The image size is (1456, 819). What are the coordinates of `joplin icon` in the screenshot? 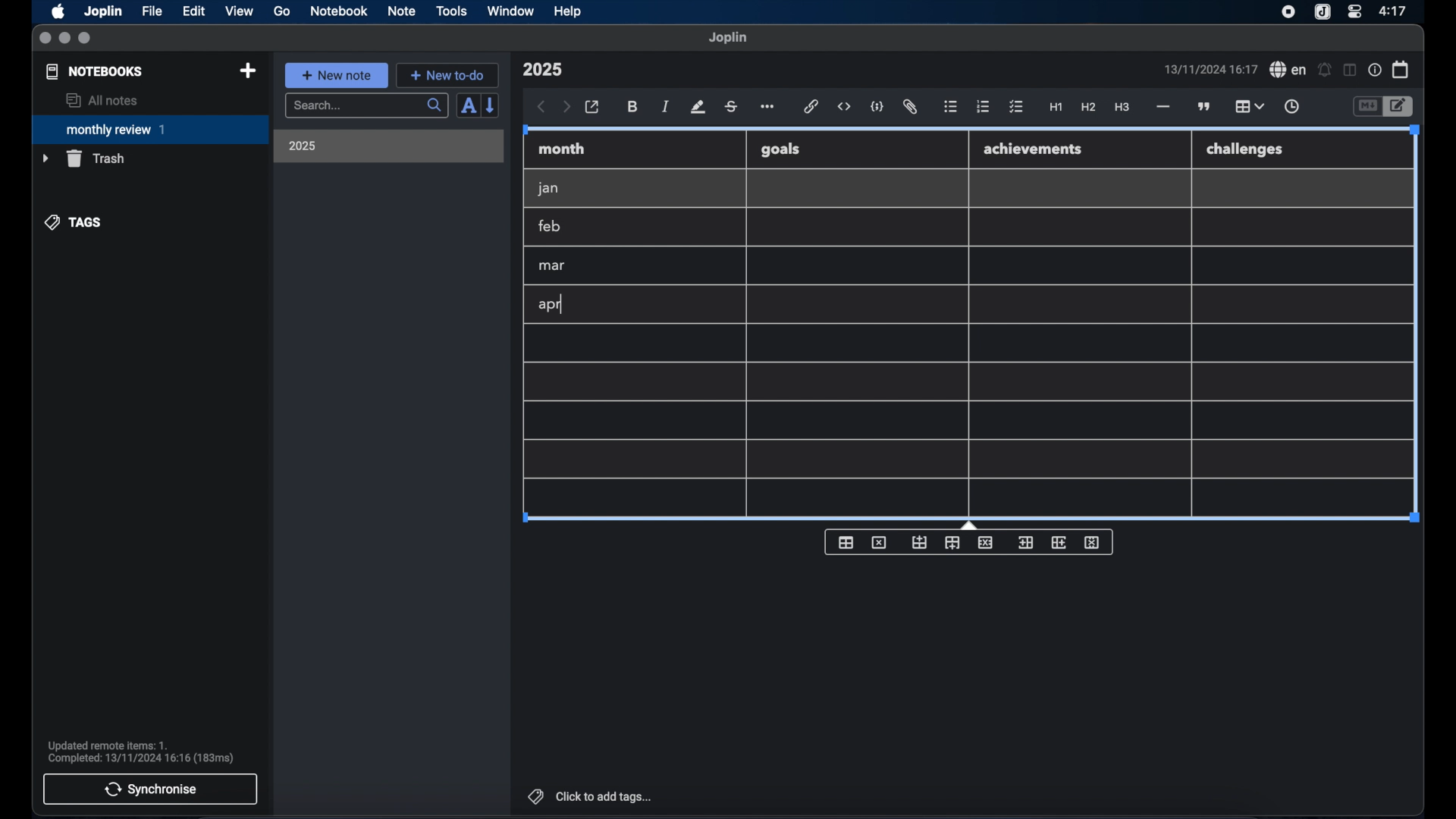 It's located at (1321, 13).